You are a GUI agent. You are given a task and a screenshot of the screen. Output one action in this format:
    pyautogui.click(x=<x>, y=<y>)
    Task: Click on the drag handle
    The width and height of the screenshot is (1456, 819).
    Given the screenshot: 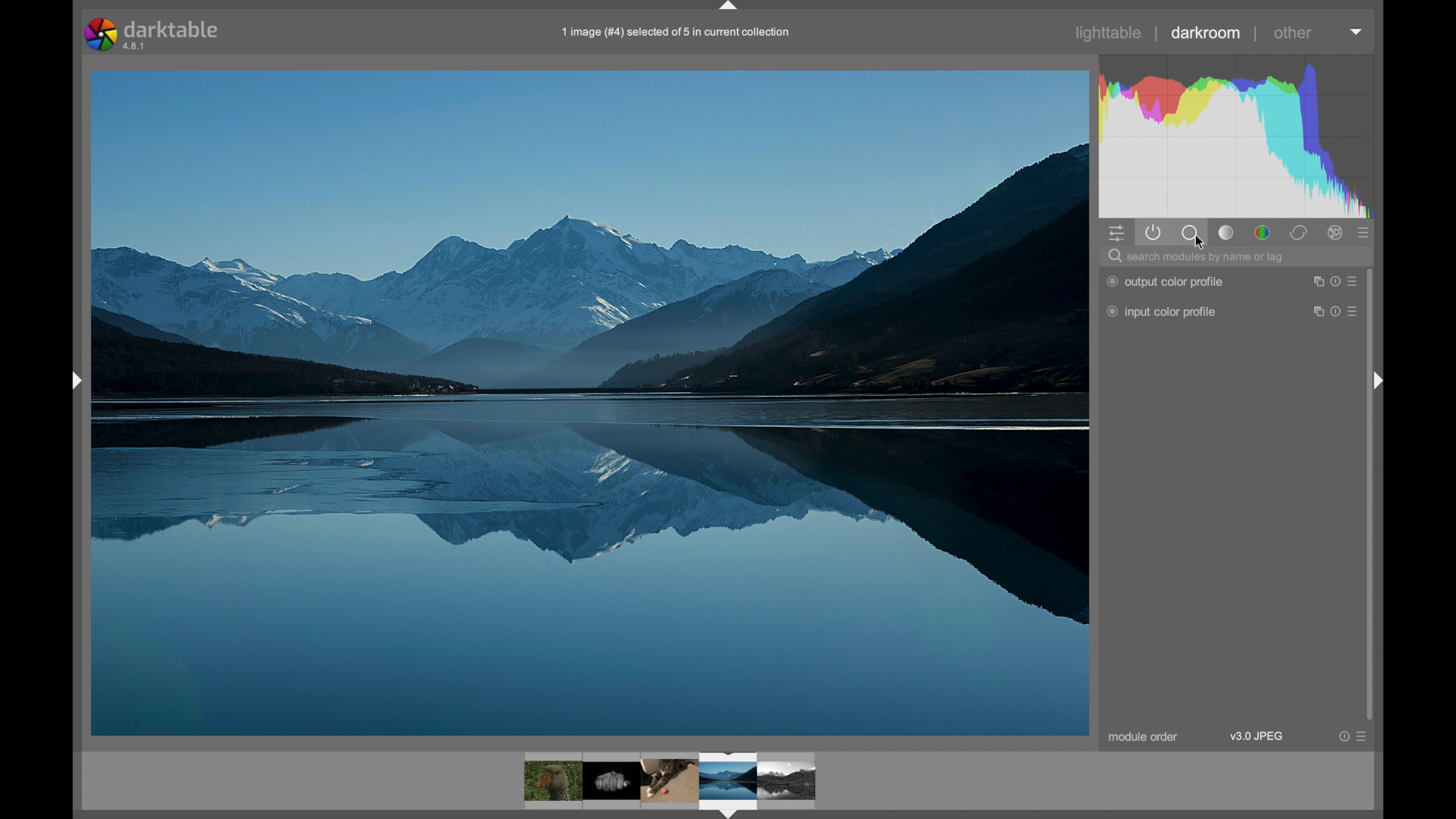 What is the action you would take?
    pyautogui.click(x=76, y=380)
    